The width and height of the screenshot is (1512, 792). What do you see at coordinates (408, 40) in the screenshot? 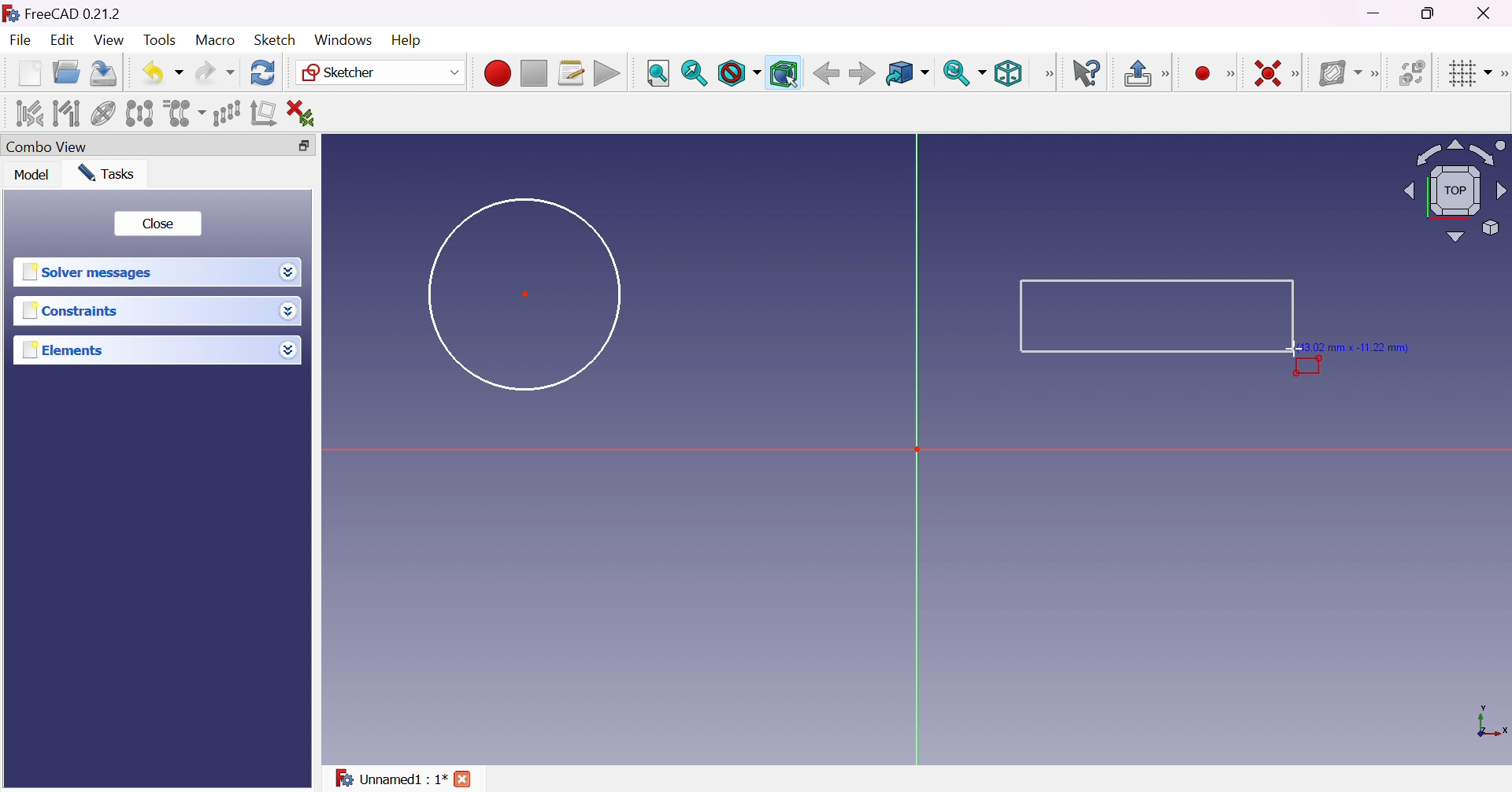
I see `Help` at bounding box center [408, 40].